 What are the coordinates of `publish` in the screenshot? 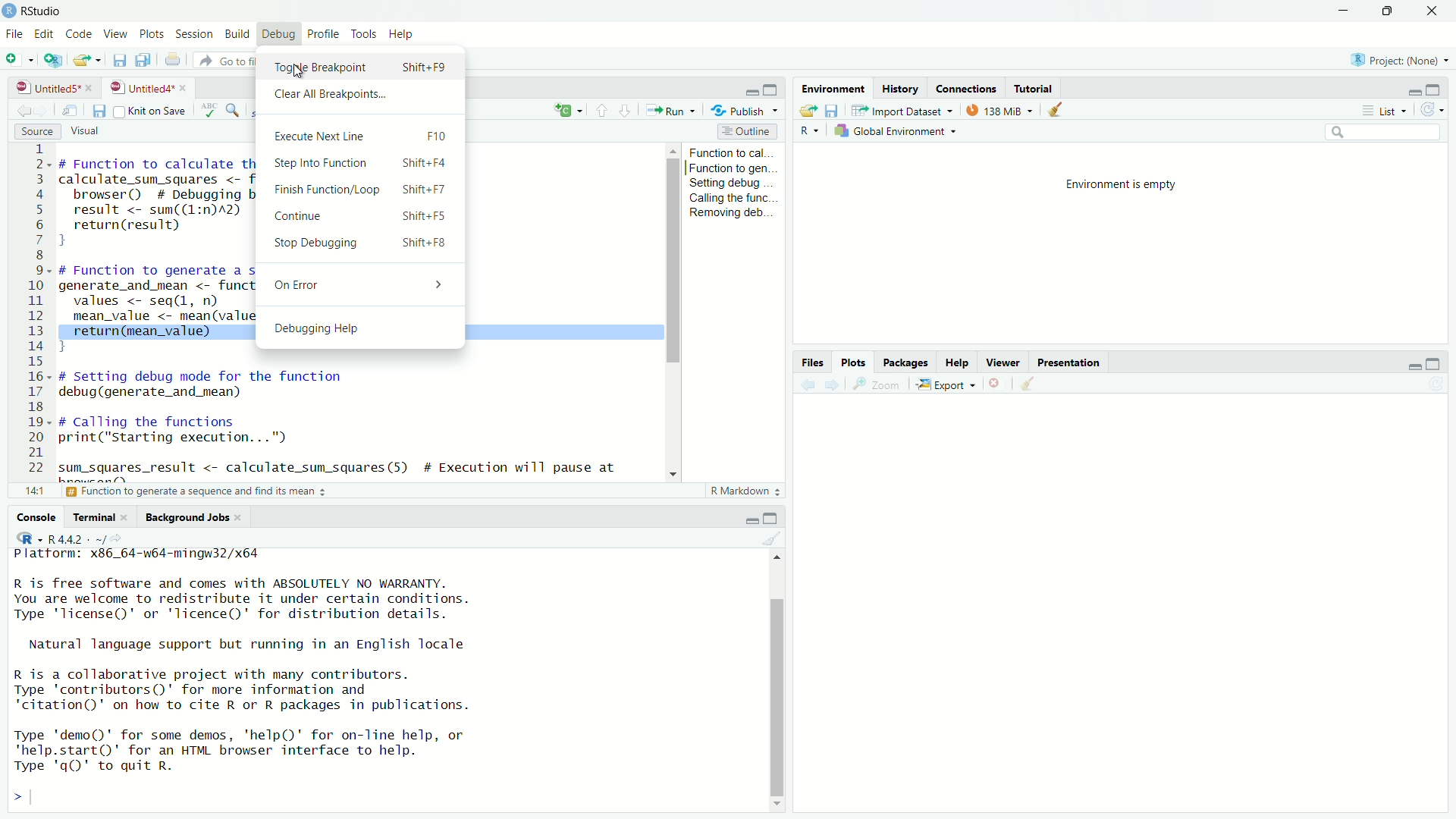 It's located at (748, 110).